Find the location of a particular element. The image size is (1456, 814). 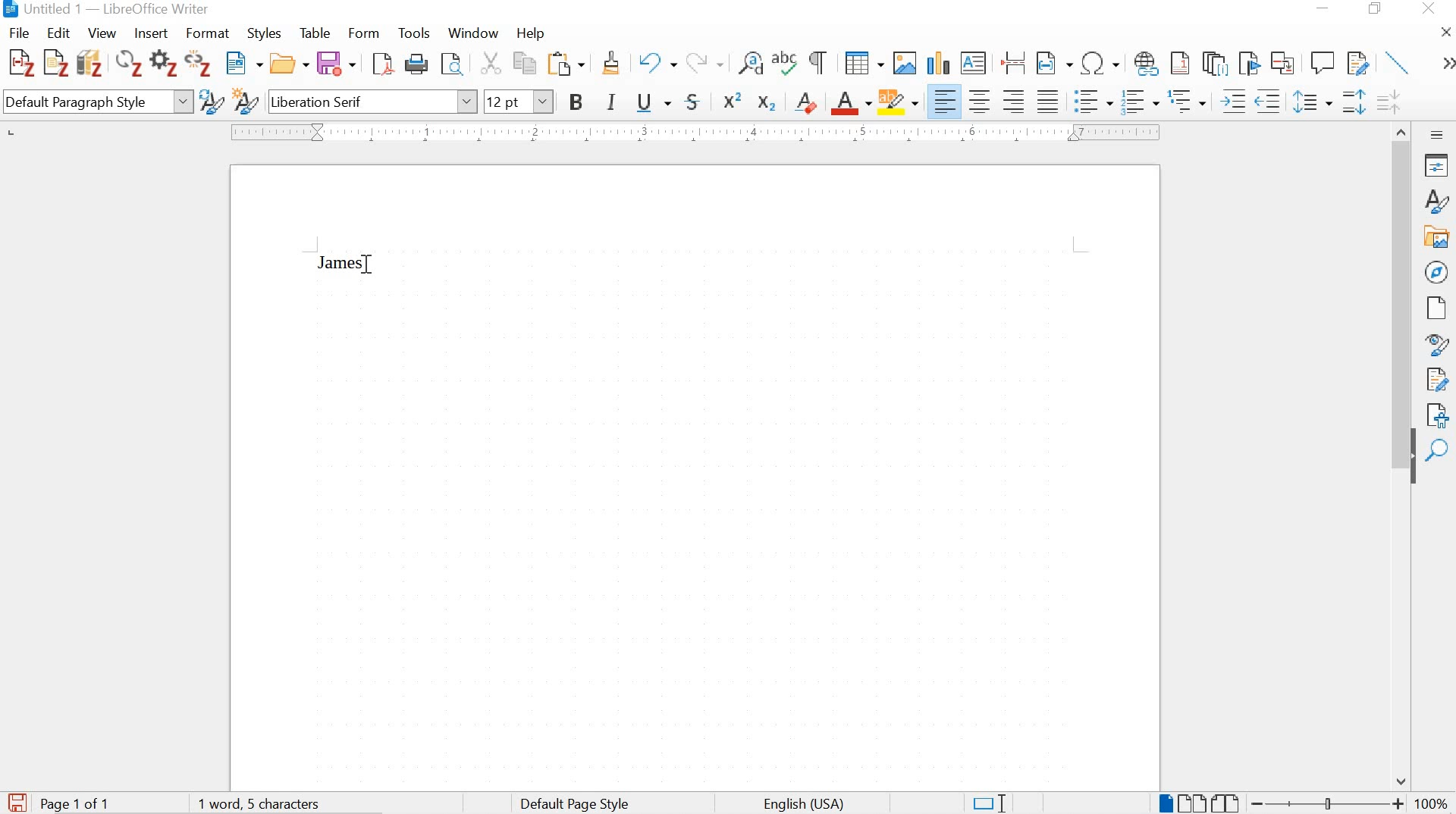

find and replace is located at coordinates (751, 64).